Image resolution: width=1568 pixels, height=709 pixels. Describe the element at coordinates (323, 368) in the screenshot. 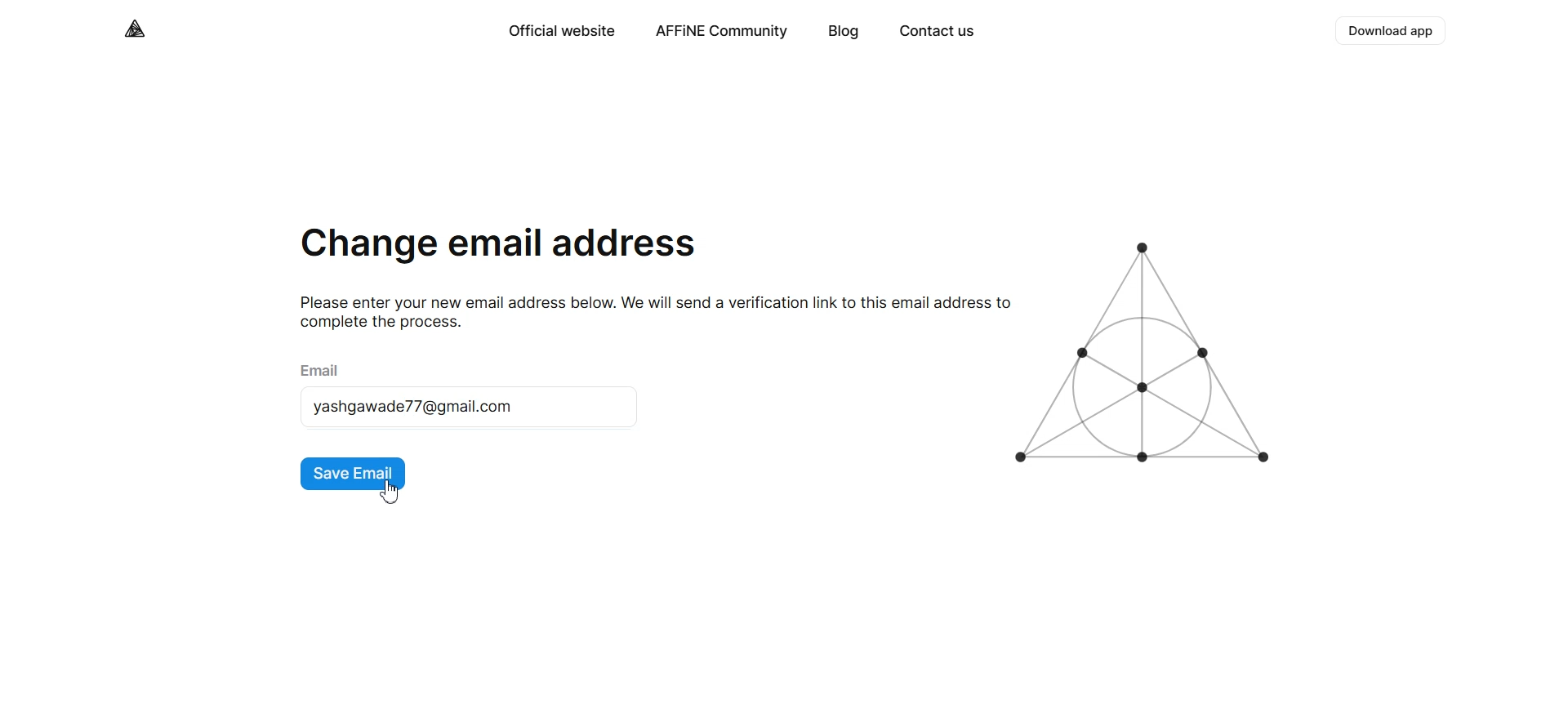

I see `email` at that location.